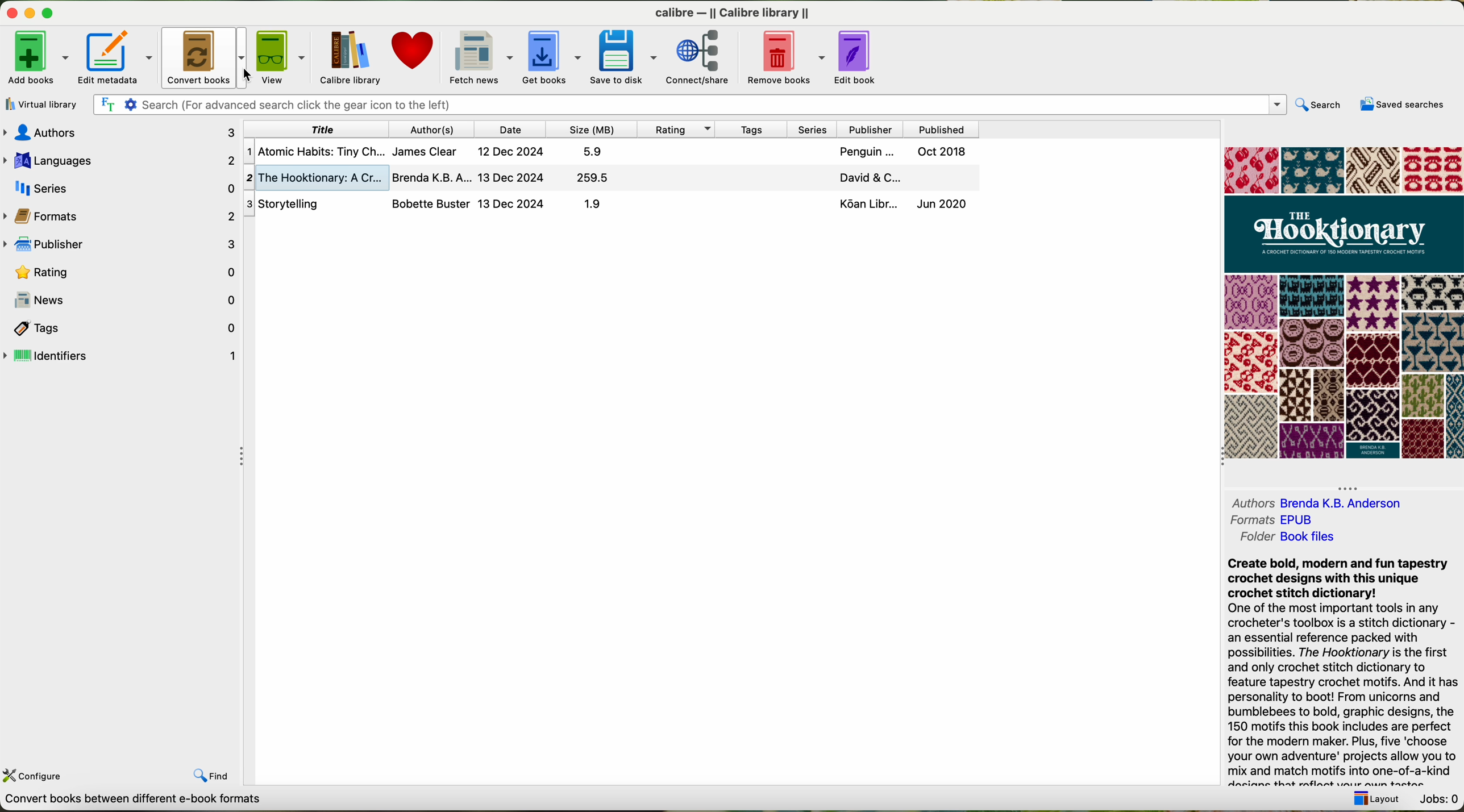 This screenshot has height=812, width=1464. Describe the element at coordinates (1249, 539) in the screenshot. I see `folder` at that location.